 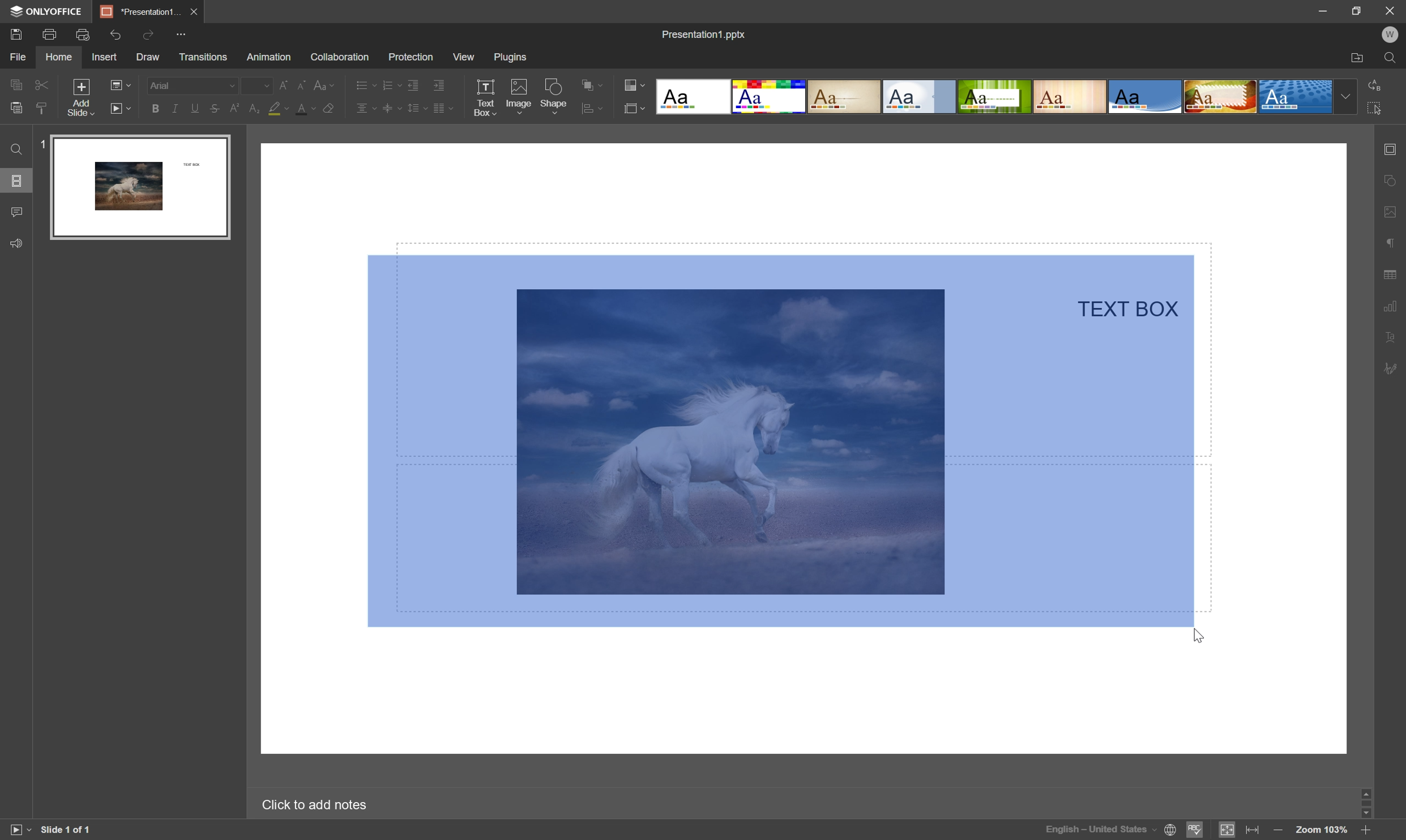 What do you see at coordinates (16, 33) in the screenshot?
I see `save` at bounding box center [16, 33].